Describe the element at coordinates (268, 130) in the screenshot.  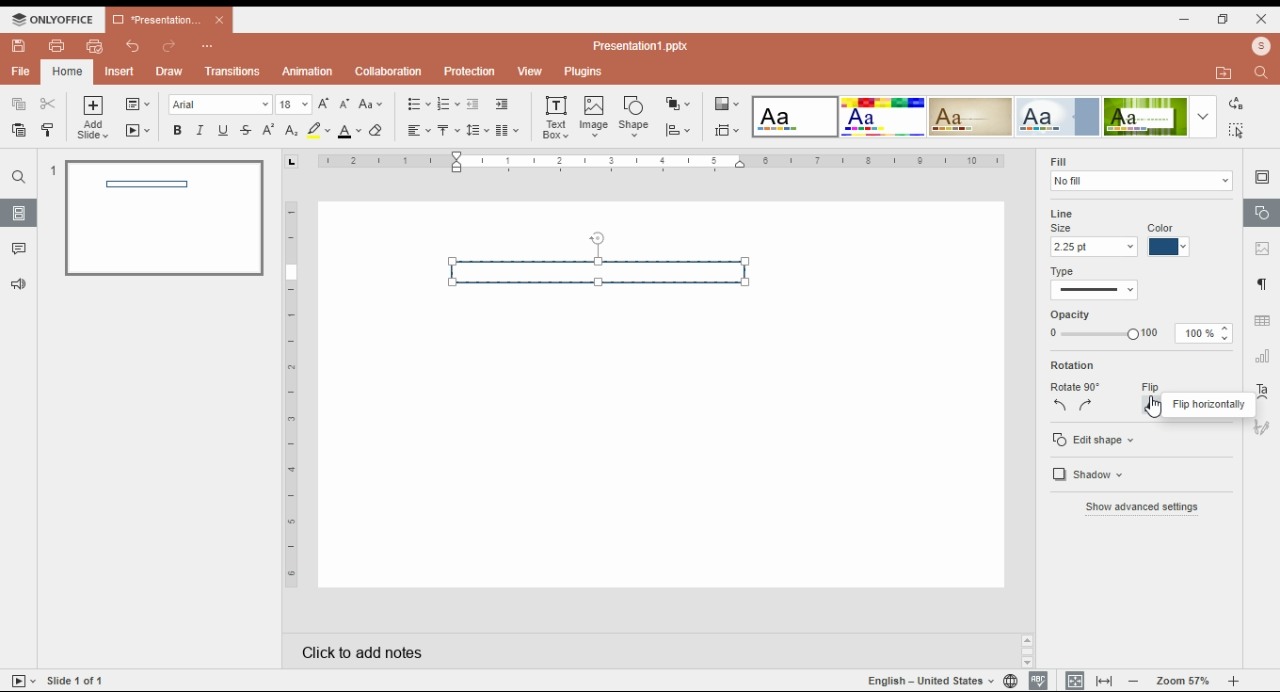
I see `superscript` at that location.